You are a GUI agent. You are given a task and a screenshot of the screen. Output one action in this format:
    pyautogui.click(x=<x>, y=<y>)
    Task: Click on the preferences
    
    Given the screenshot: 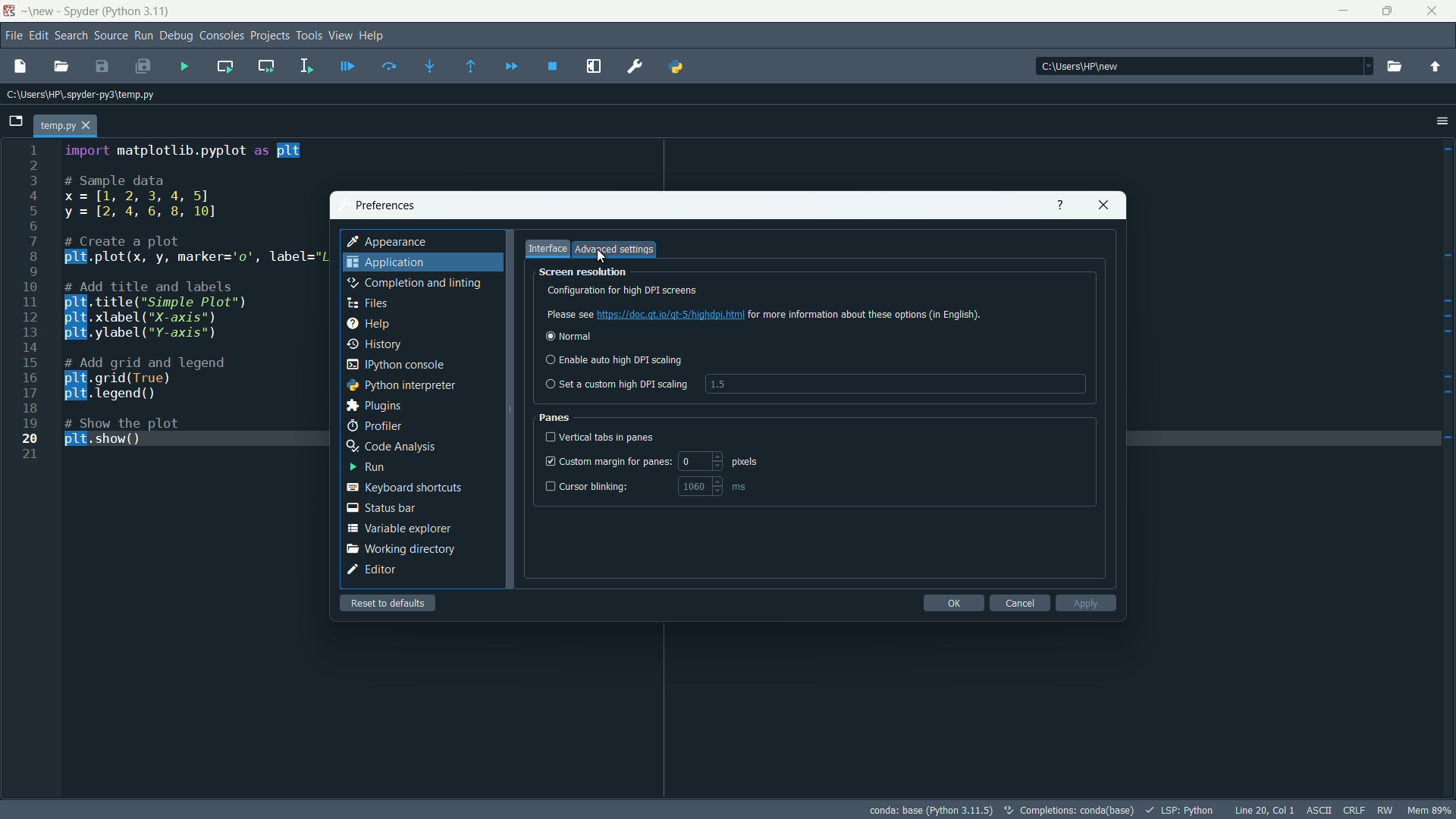 What is the action you would take?
    pyautogui.click(x=635, y=65)
    